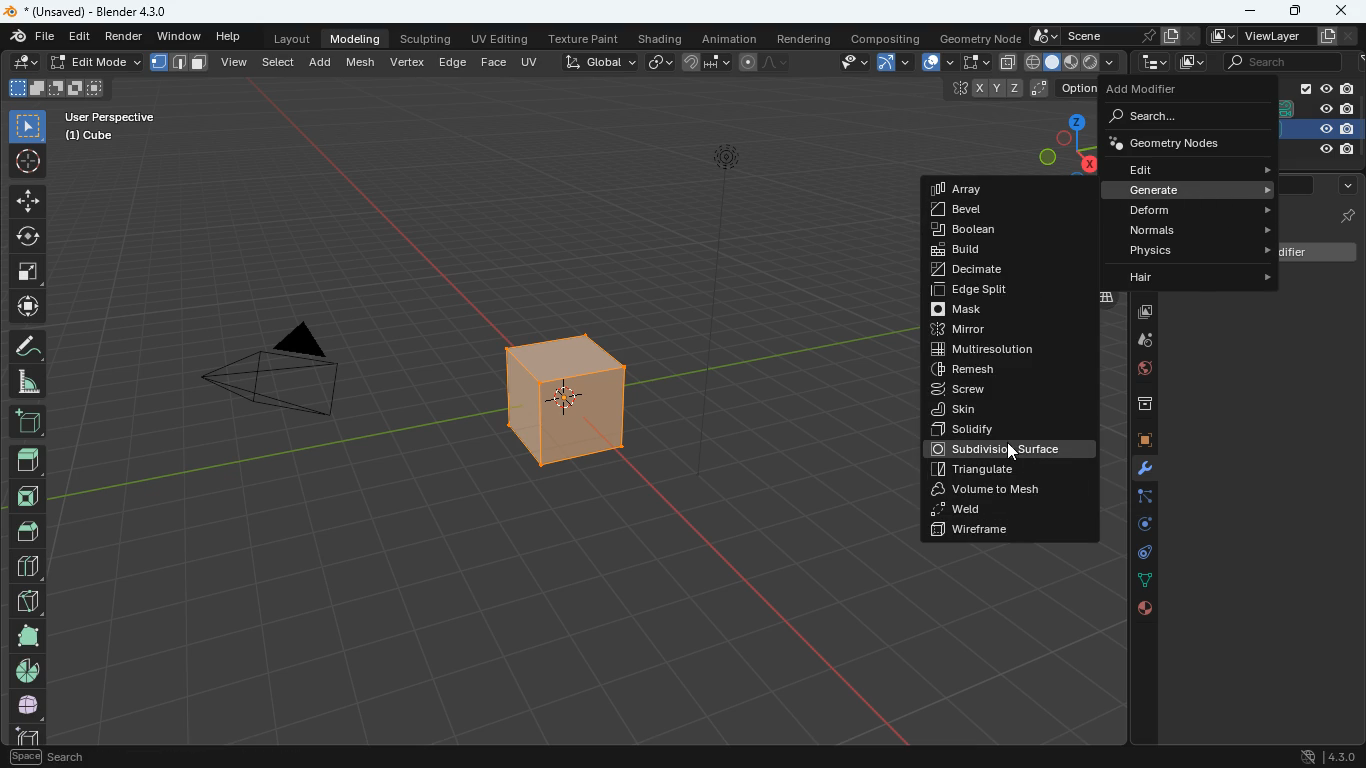  I want to click on format, so click(180, 62).